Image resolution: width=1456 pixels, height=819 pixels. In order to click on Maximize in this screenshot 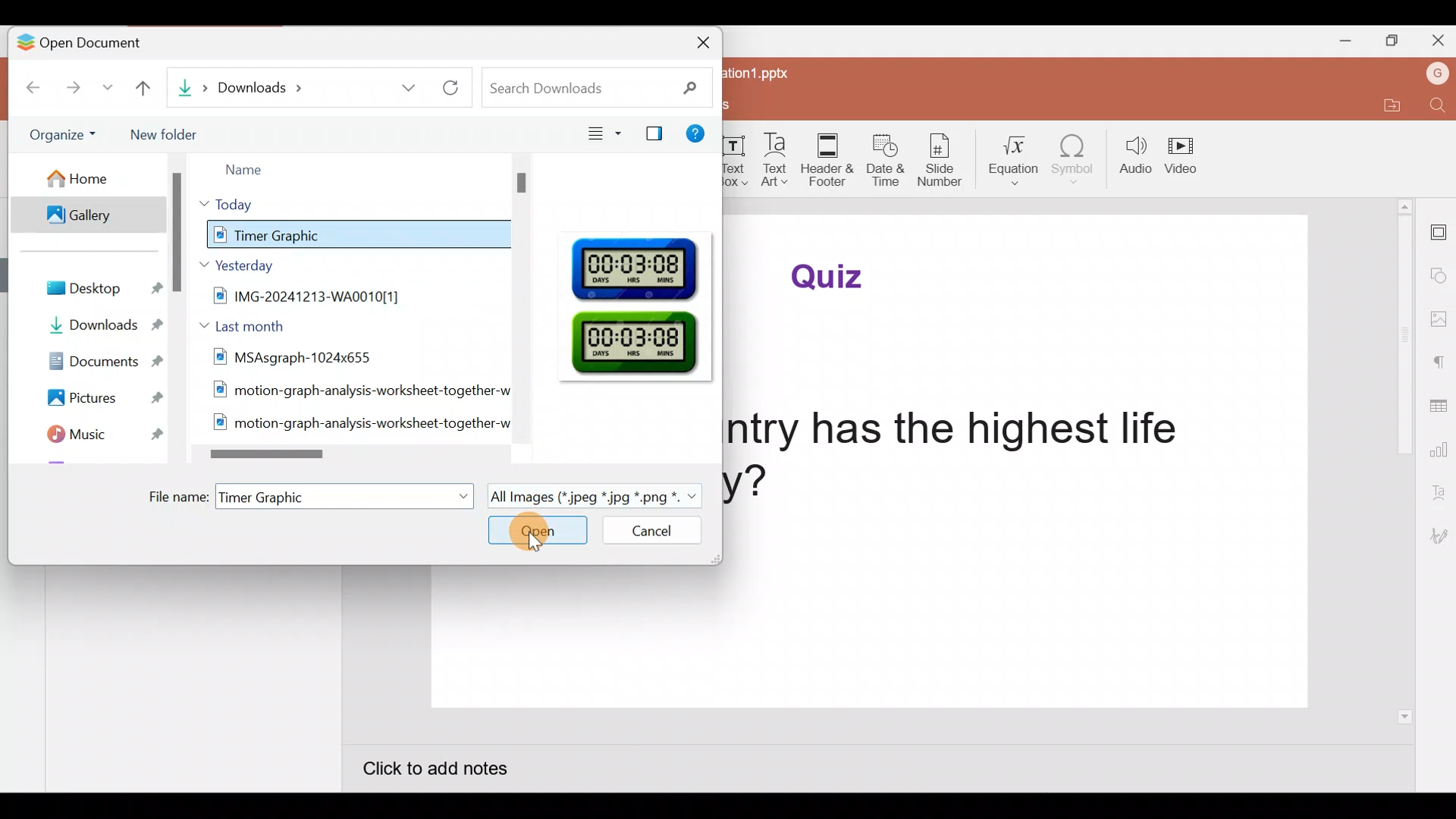, I will do `click(1392, 39)`.